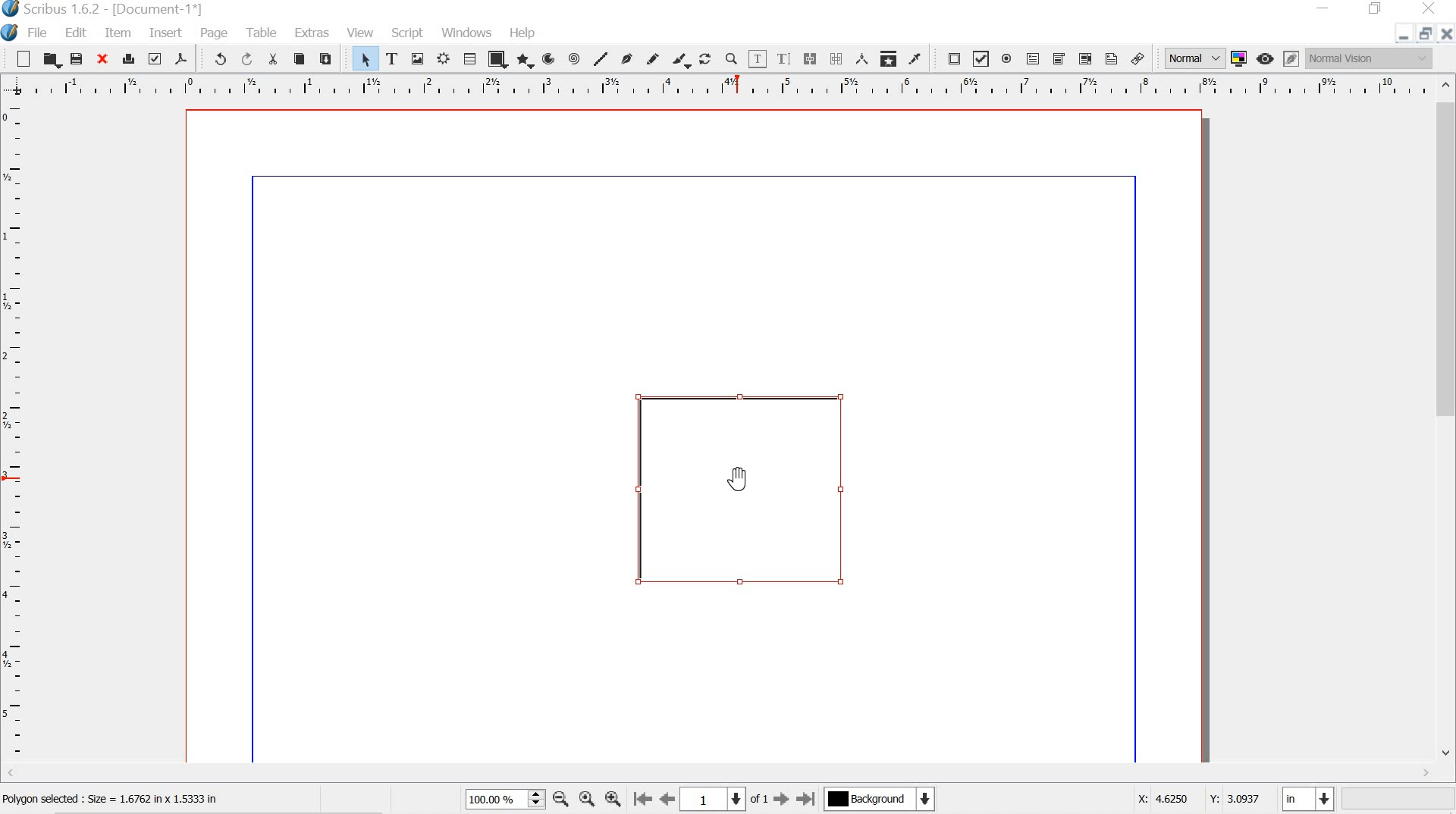  I want to click on image frame, so click(418, 58).